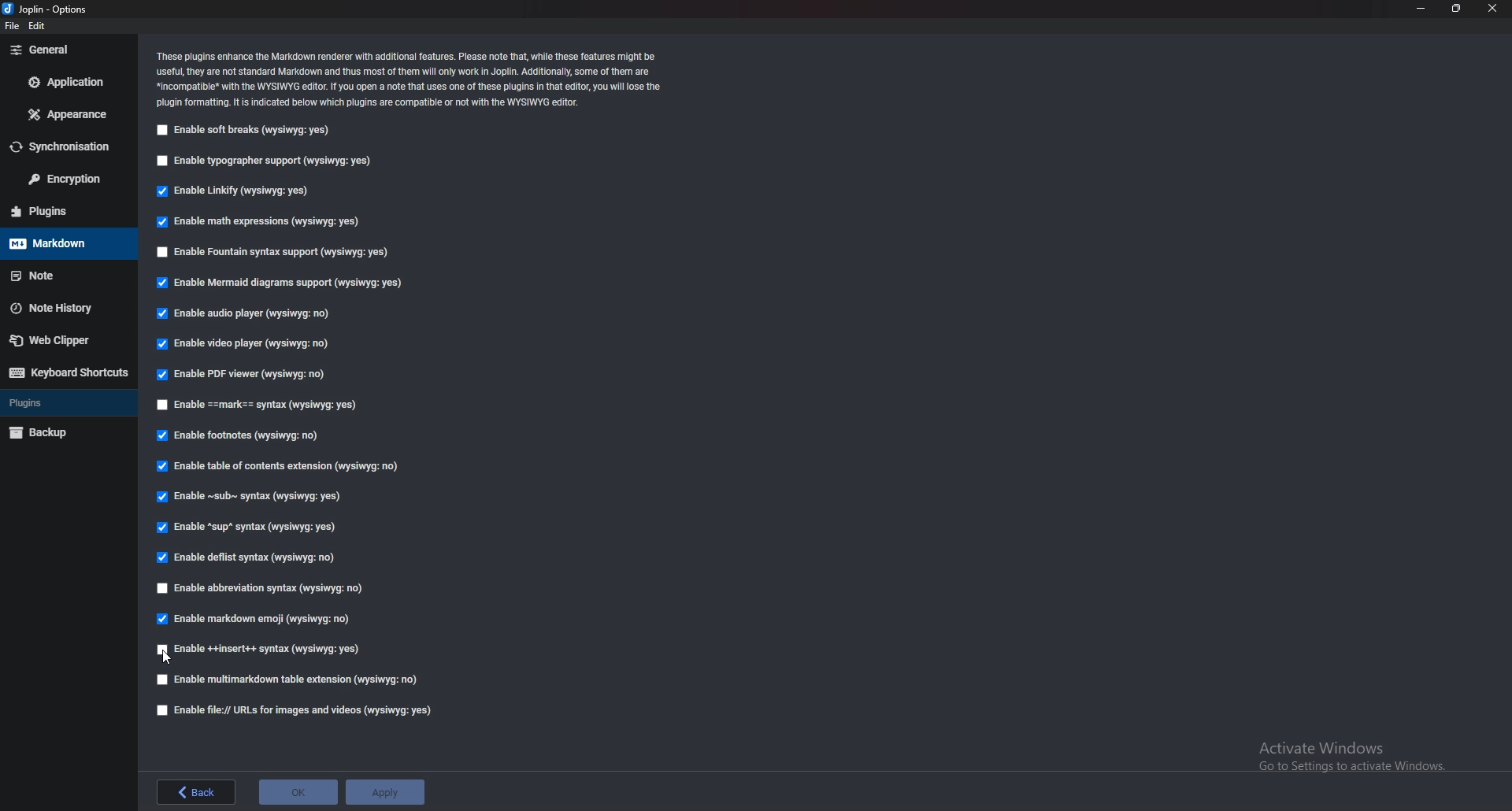 The width and height of the screenshot is (1512, 811). What do you see at coordinates (289, 710) in the screenshot?
I see `enable file urls for images and videos` at bounding box center [289, 710].